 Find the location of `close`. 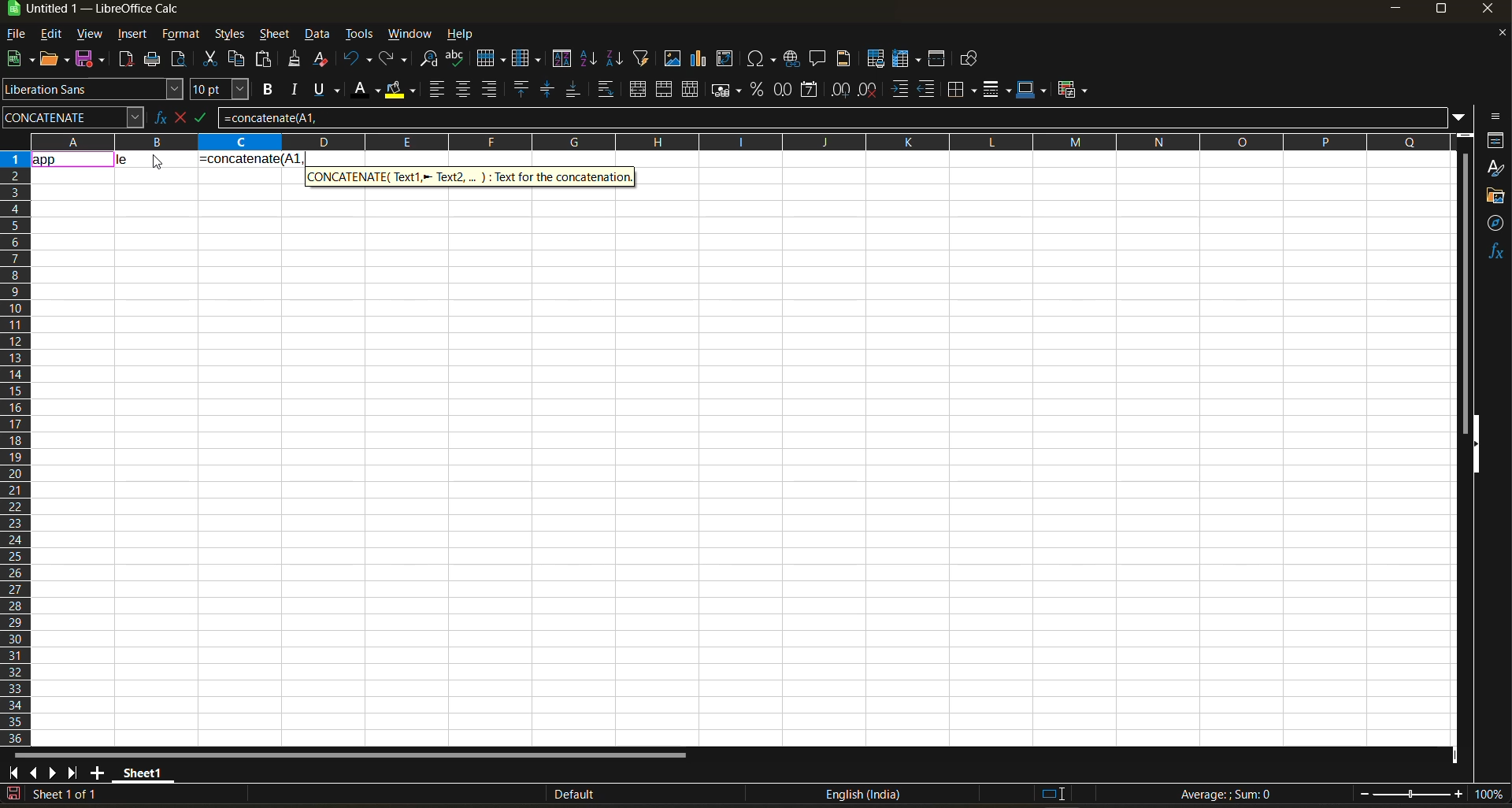

close is located at coordinates (1492, 12).